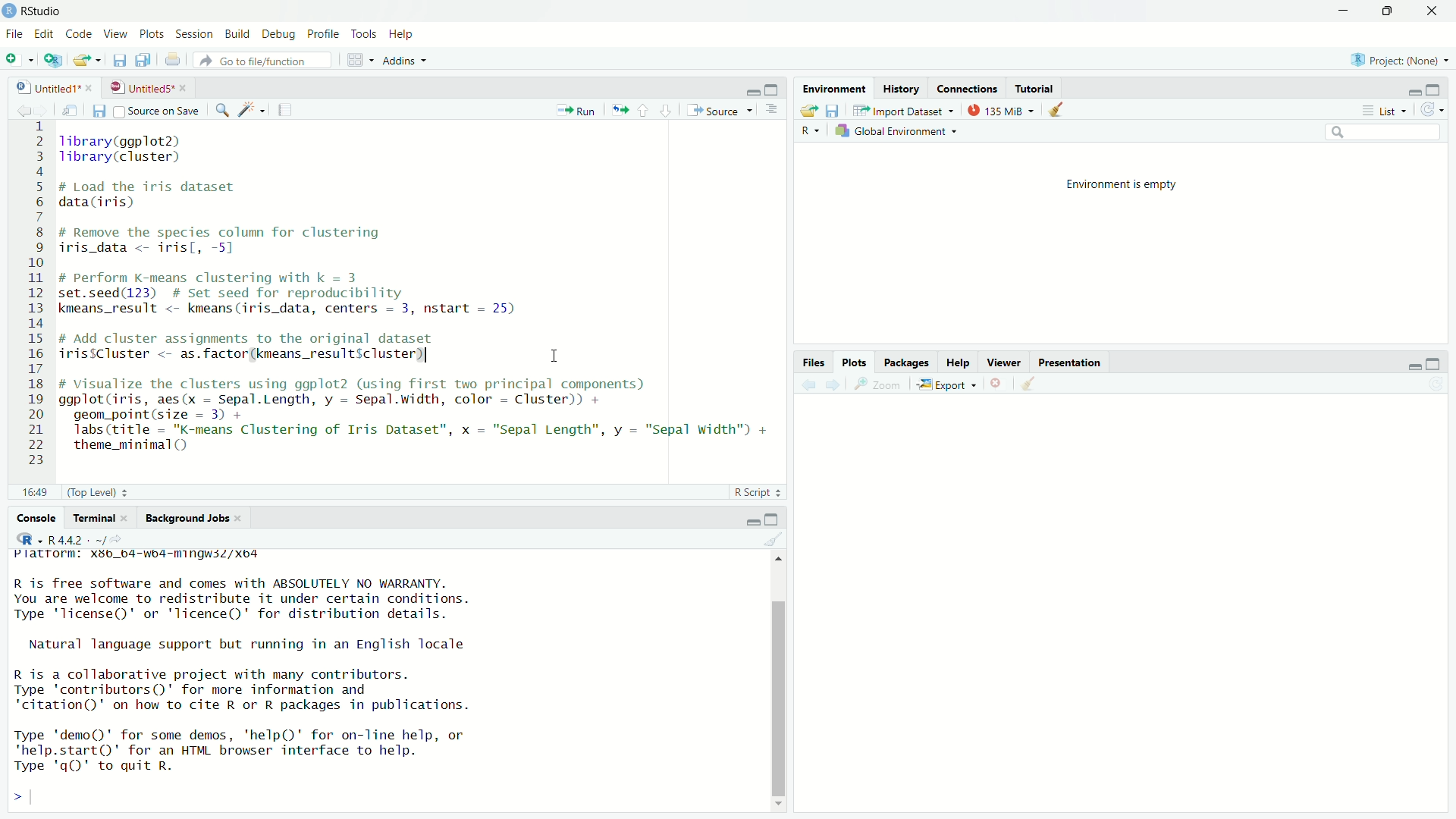 This screenshot has width=1456, height=819. Describe the element at coordinates (325, 33) in the screenshot. I see `profile` at that location.